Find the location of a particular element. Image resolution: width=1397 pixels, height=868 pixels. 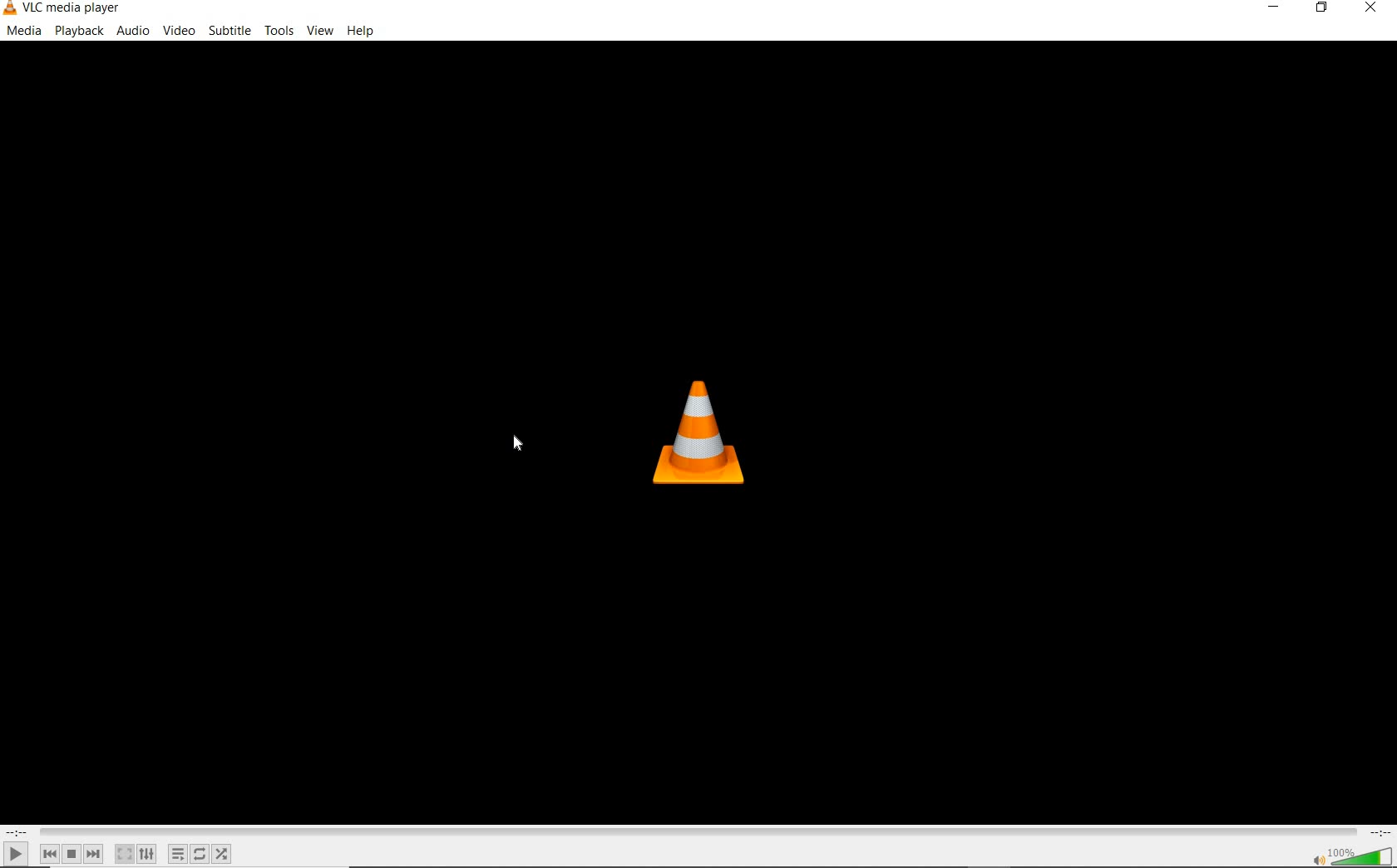

video is located at coordinates (179, 31).